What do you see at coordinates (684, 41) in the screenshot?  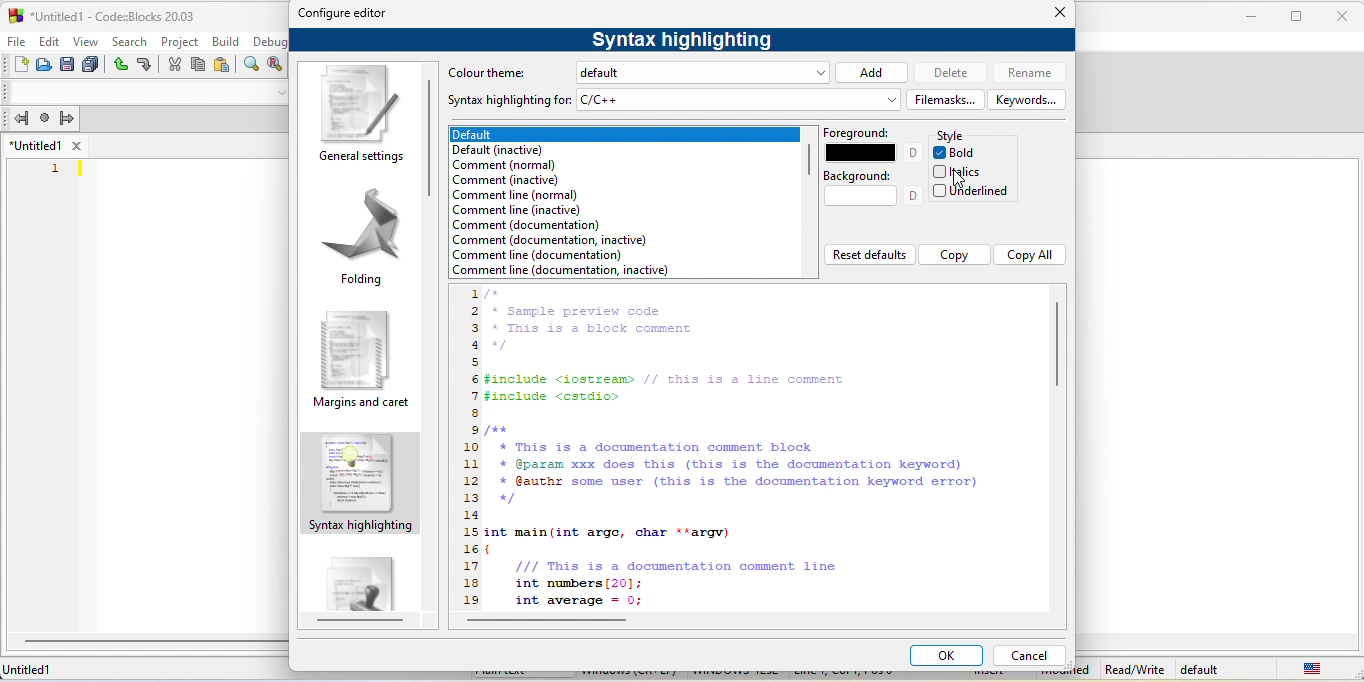 I see `syntax highlighting` at bounding box center [684, 41].